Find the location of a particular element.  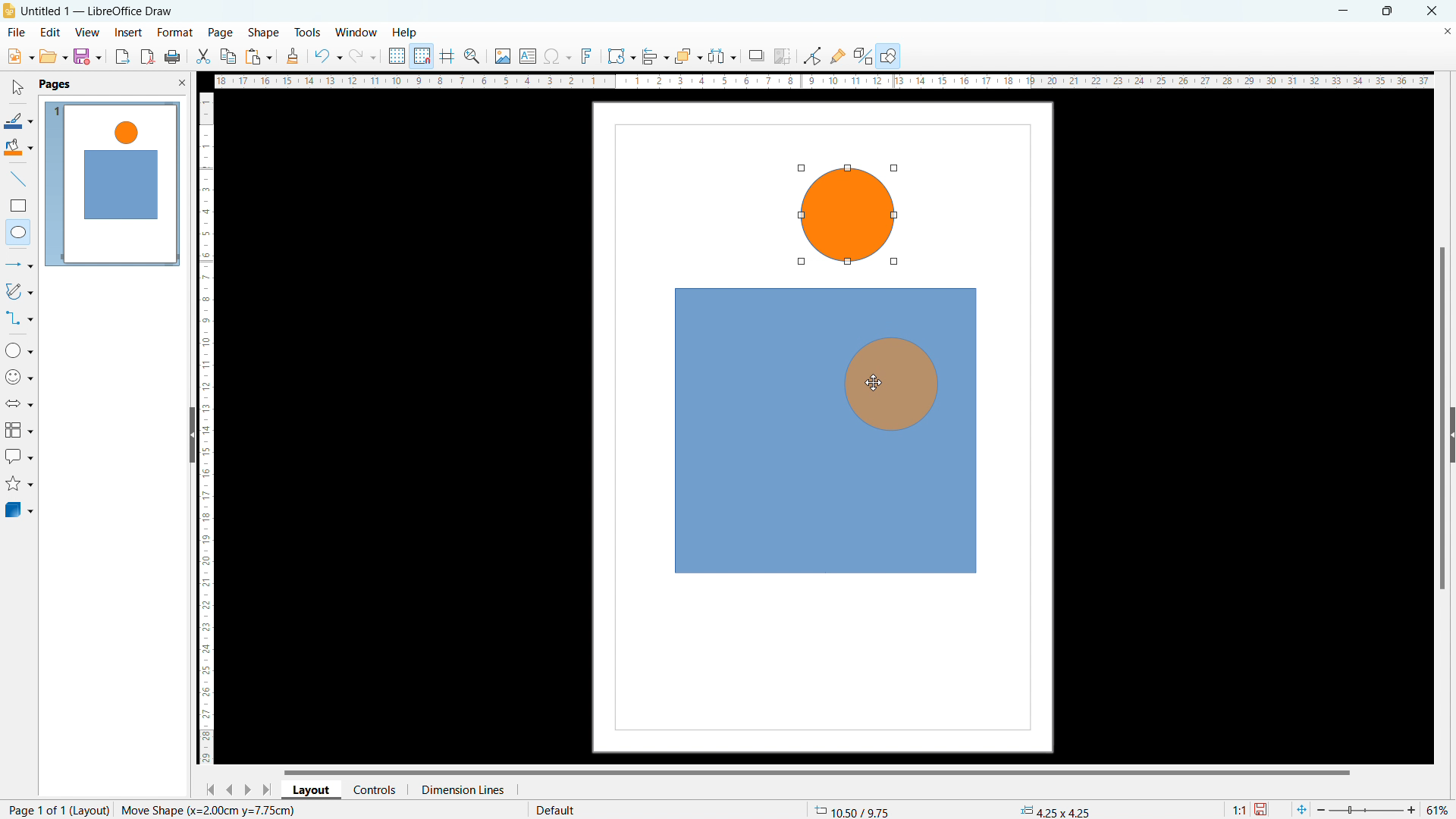

save is located at coordinates (87, 56).